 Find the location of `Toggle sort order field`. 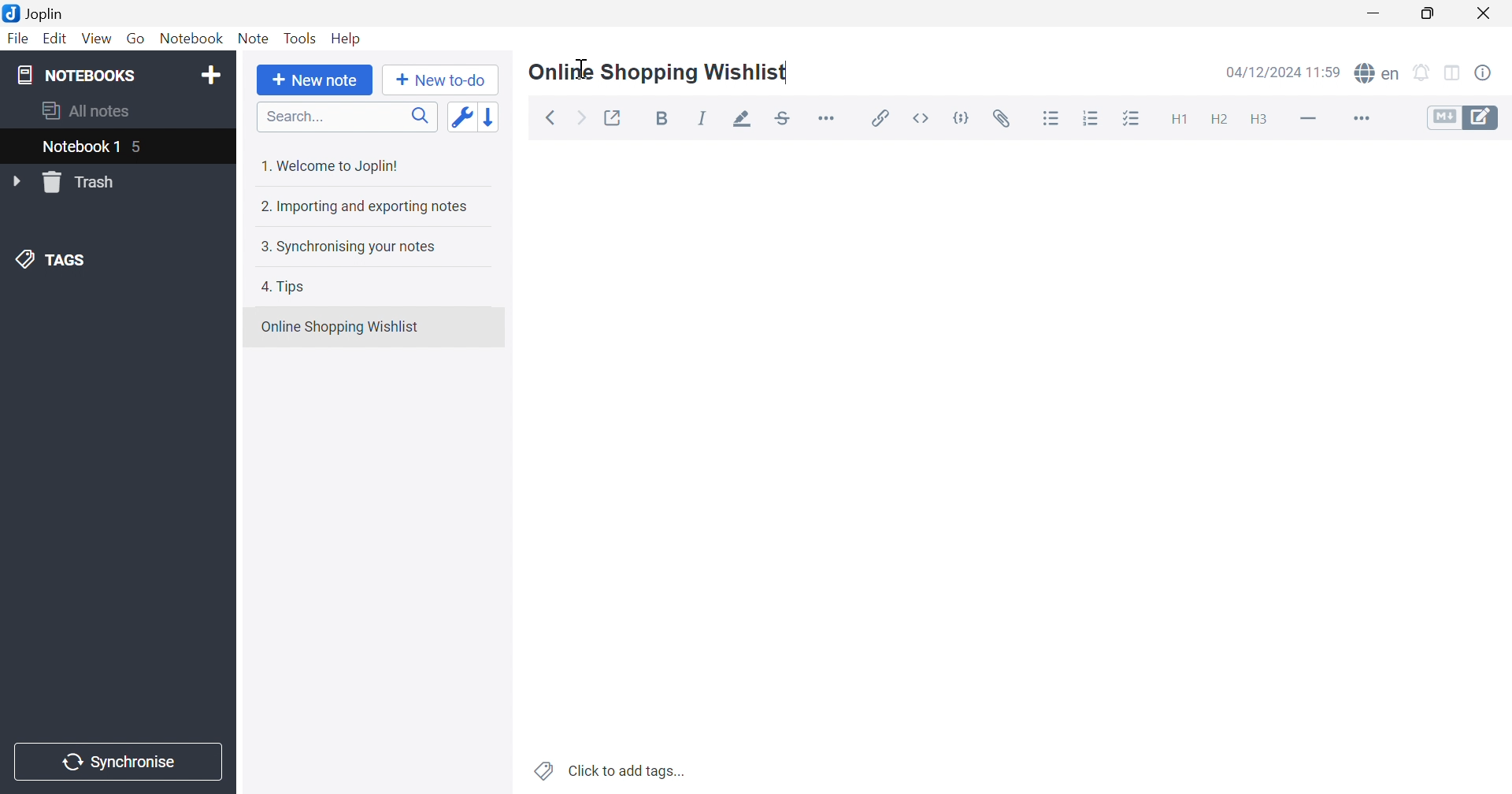

Toggle sort order field is located at coordinates (461, 117).